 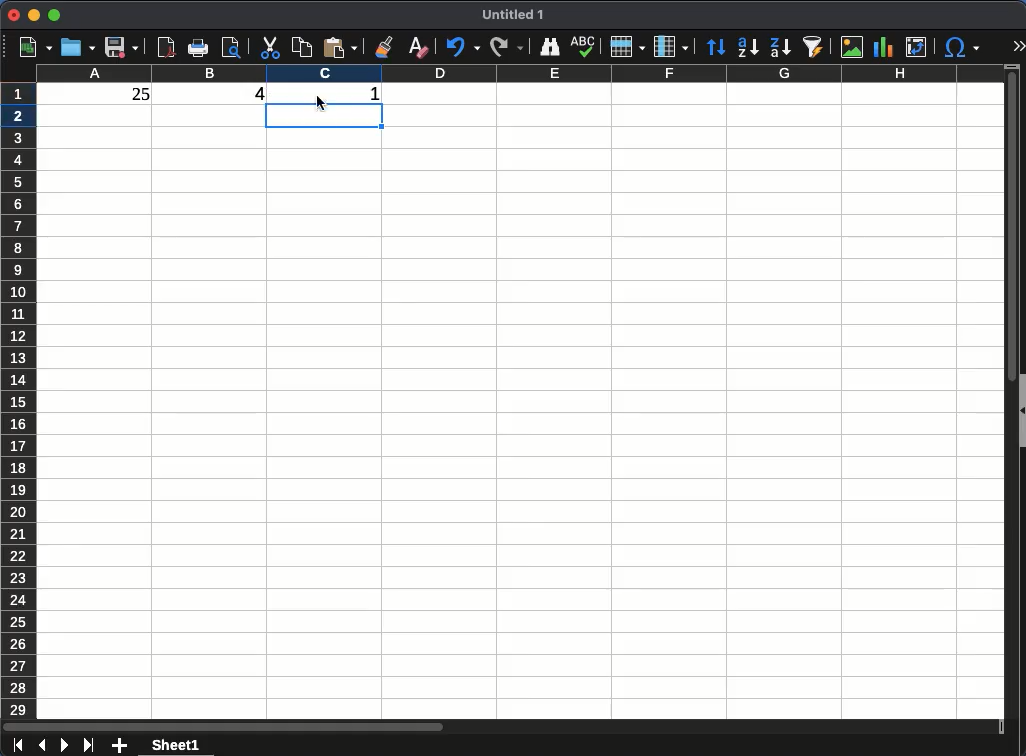 I want to click on paste, so click(x=340, y=48).